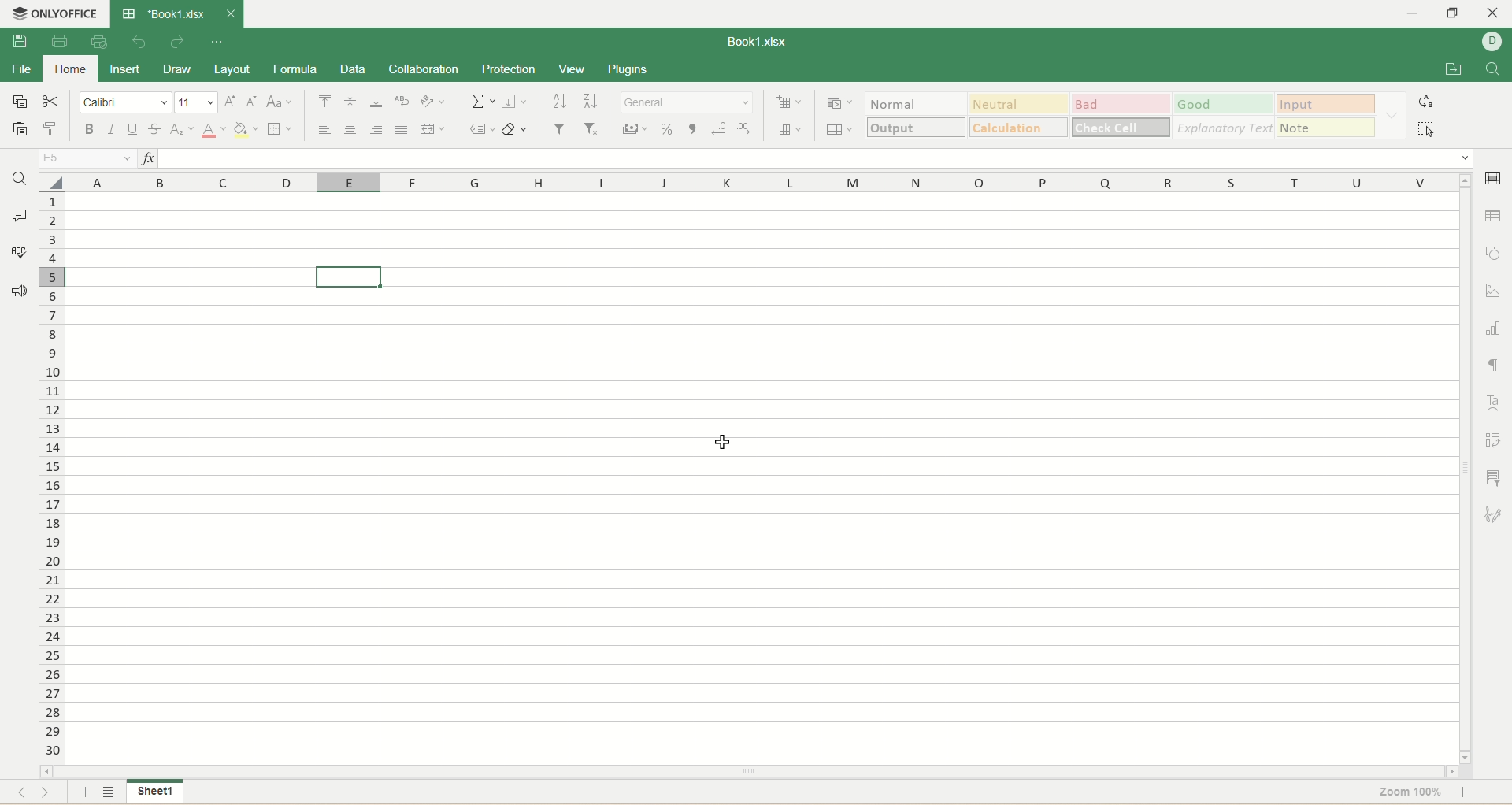 This screenshot has height=805, width=1512. What do you see at coordinates (83, 792) in the screenshot?
I see `add sheet` at bounding box center [83, 792].